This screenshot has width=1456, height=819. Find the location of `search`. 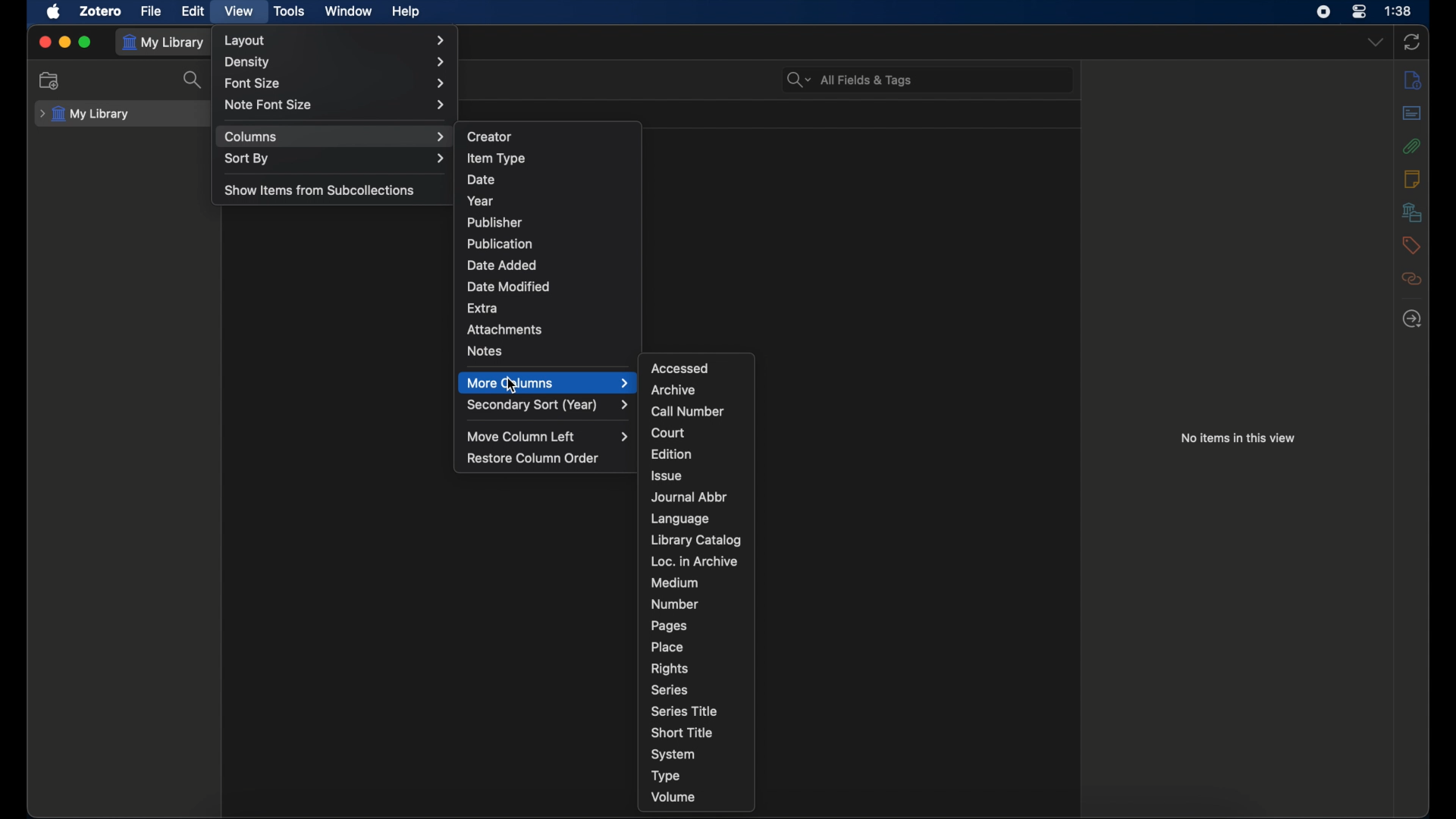

search is located at coordinates (194, 80).